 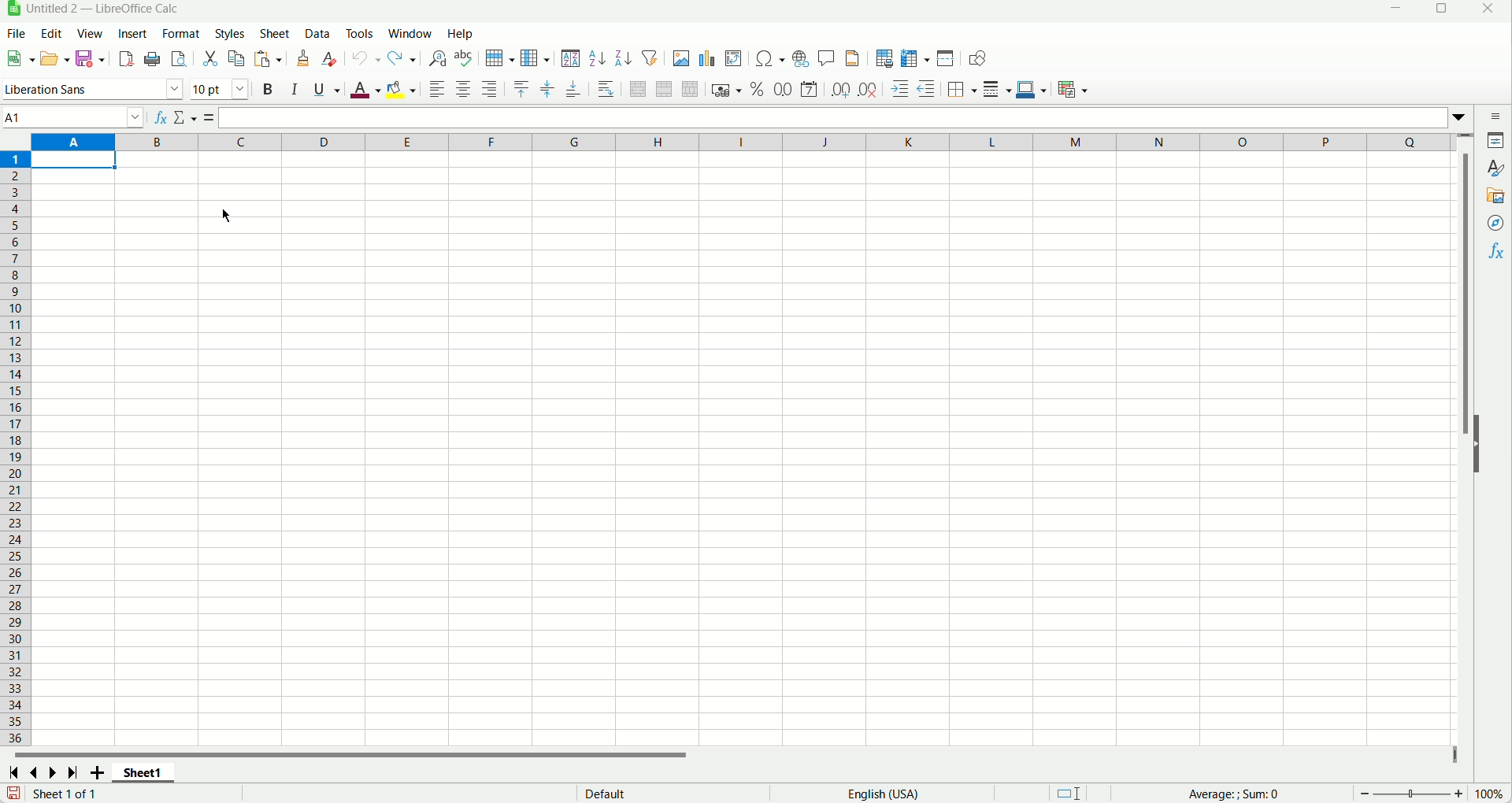 What do you see at coordinates (835, 117) in the screenshot?
I see `Input line` at bounding box center [835, 117].